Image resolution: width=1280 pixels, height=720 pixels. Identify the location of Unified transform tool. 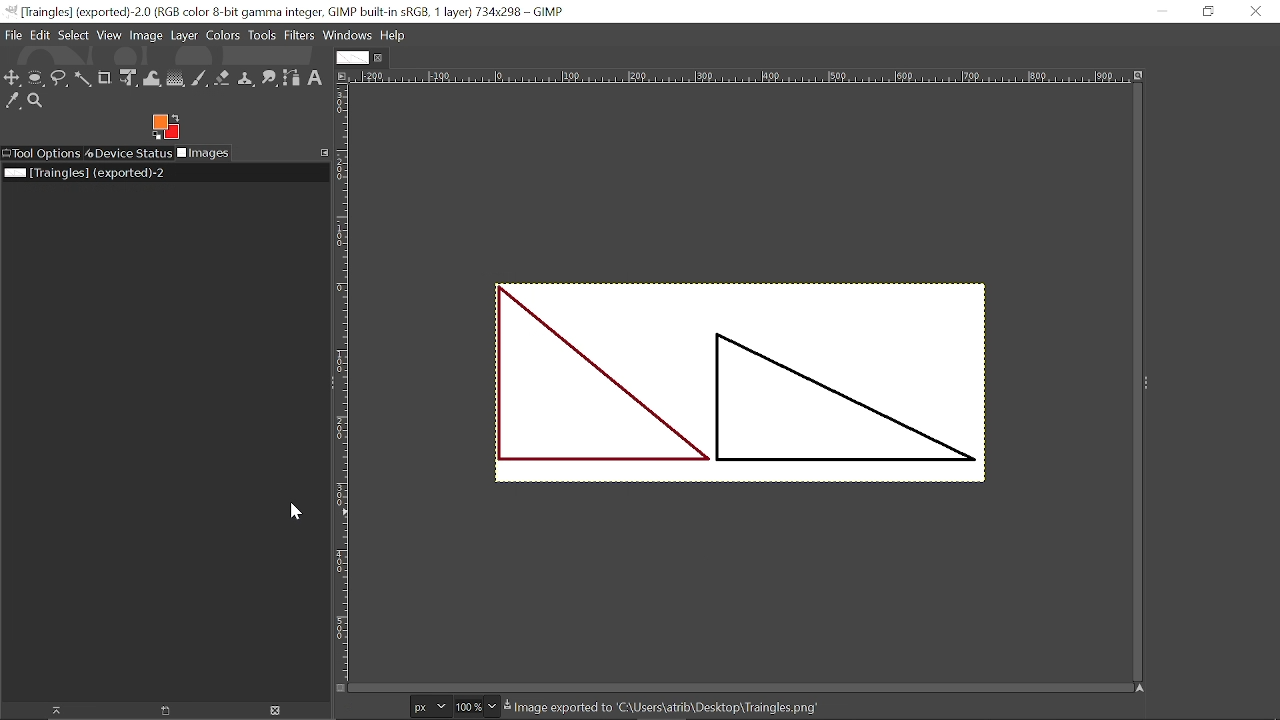
(127, 78).